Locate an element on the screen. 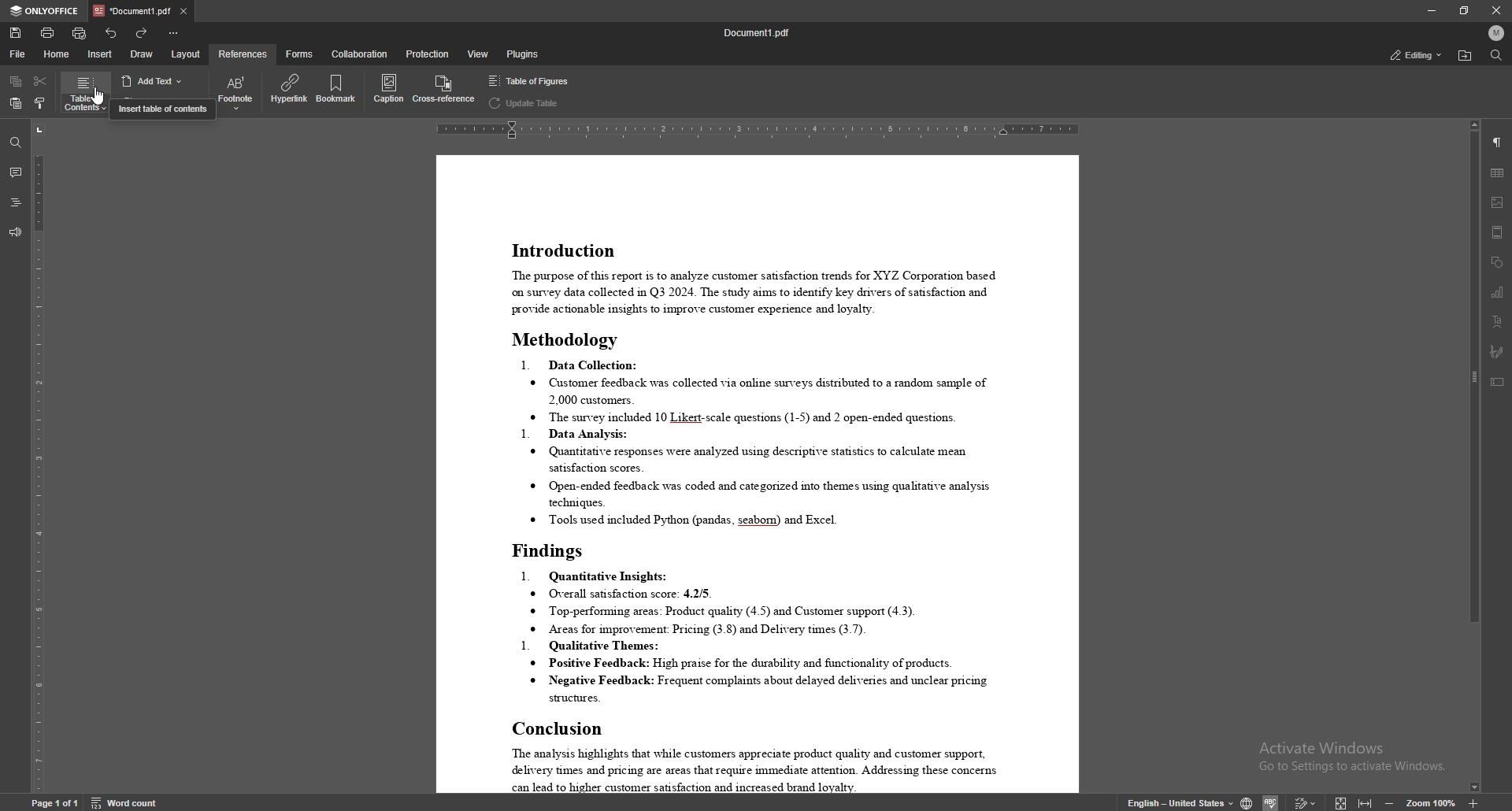 This screenshot has height=811, width=1512. layout is located at coordinates (187, 54).